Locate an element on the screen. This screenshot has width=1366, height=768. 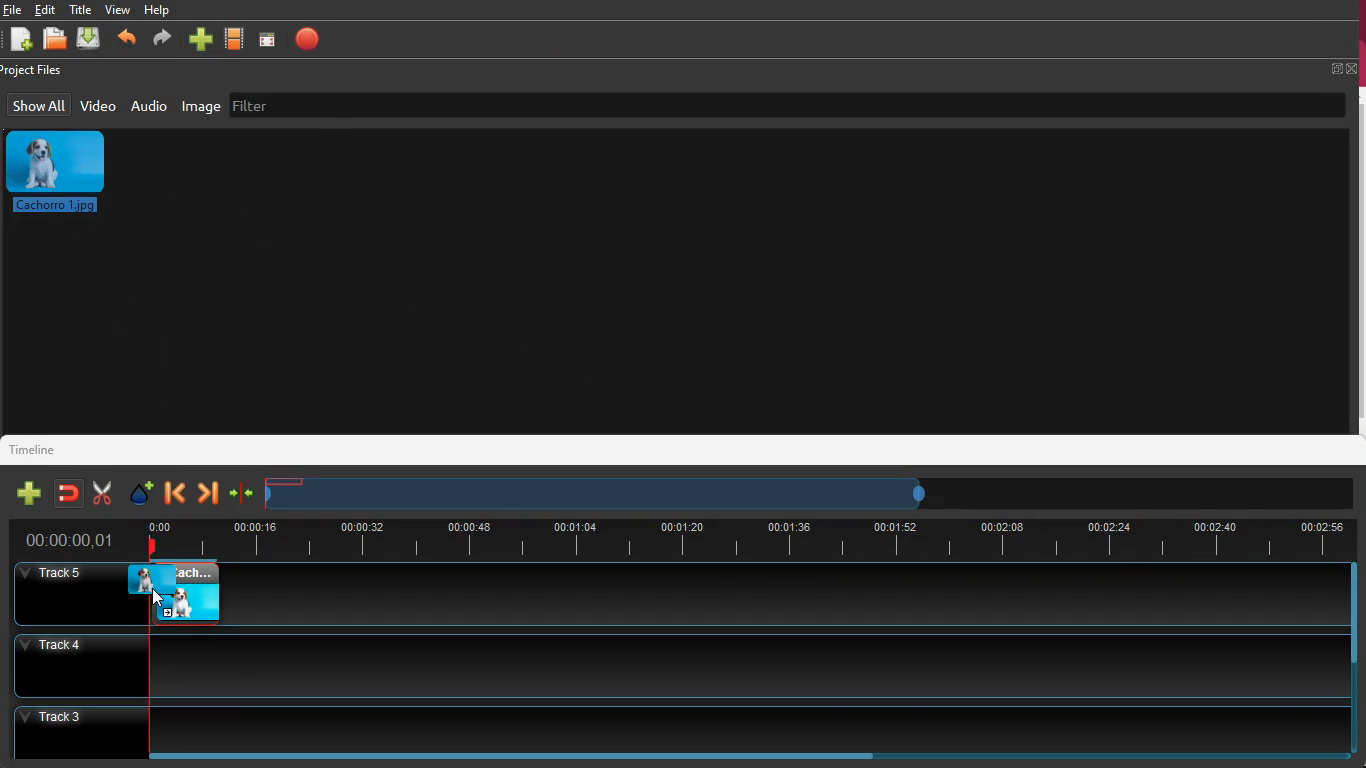
time is located at coordinates (70, 538).